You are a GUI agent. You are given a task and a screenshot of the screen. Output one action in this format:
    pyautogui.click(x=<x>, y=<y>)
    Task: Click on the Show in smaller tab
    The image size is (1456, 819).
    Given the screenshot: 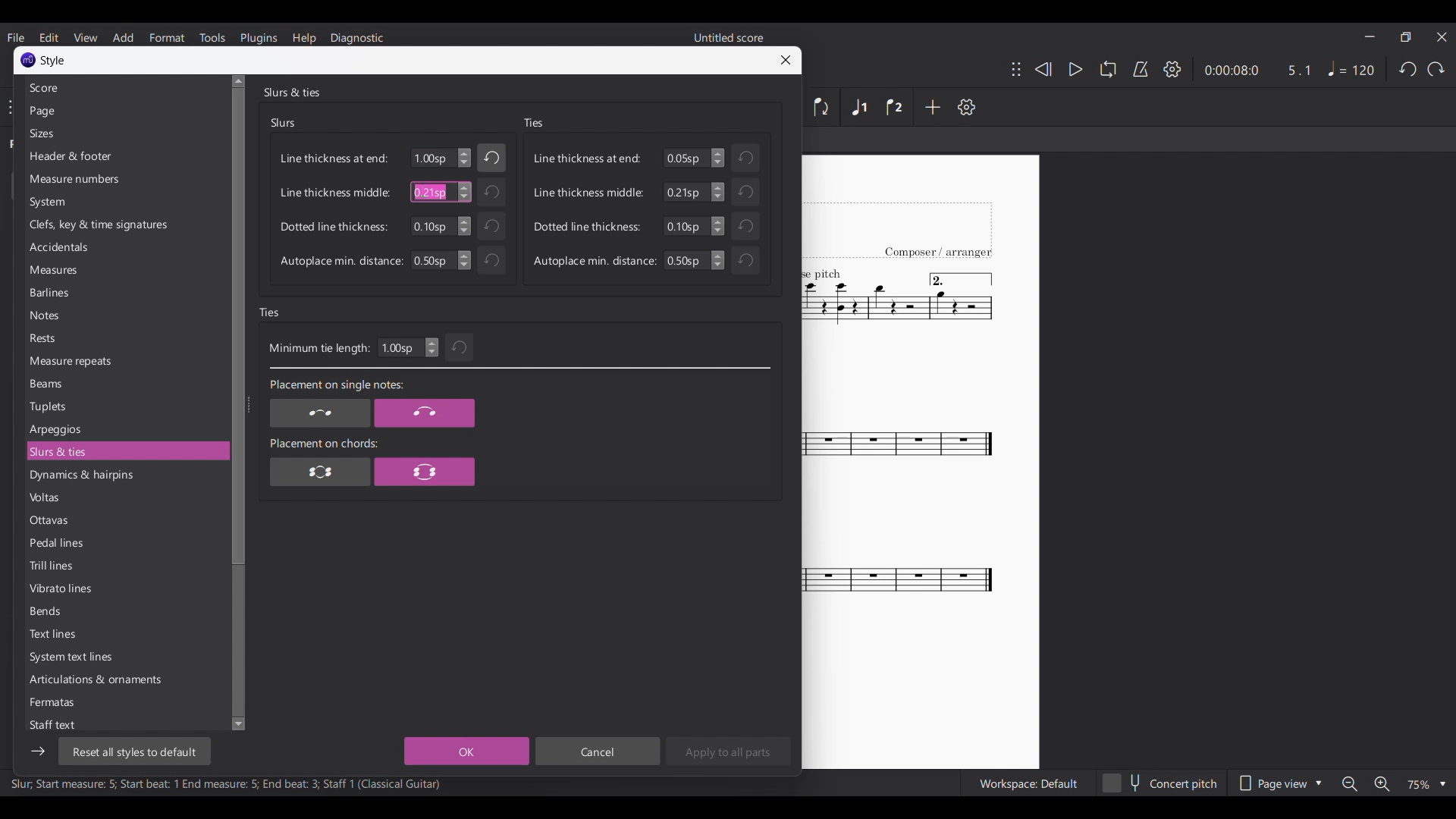 What is the action you would take?
    pyautogui.click(x=1406, y=37)
    